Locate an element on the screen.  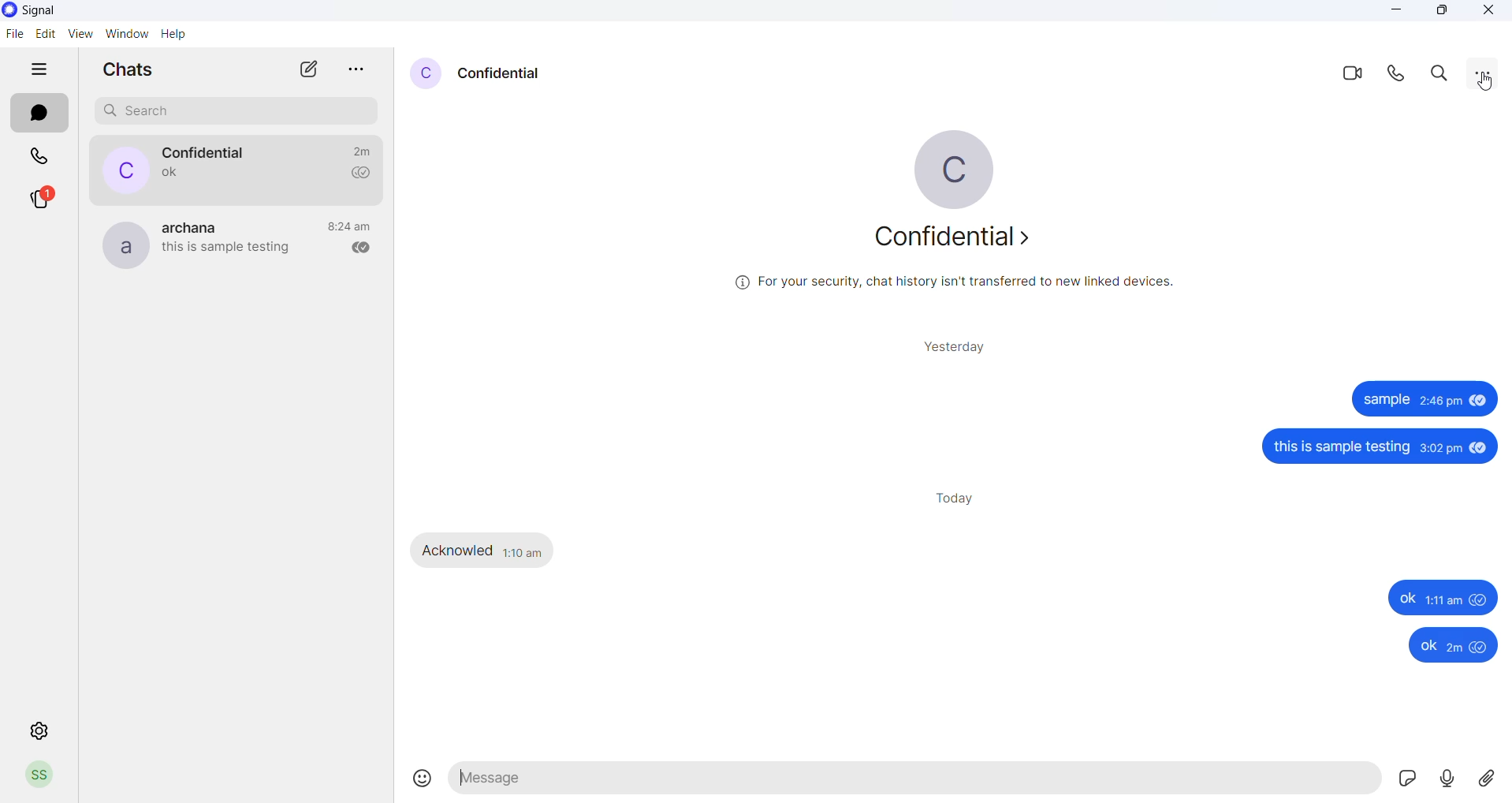
hide is located at coordinates (32, 69).